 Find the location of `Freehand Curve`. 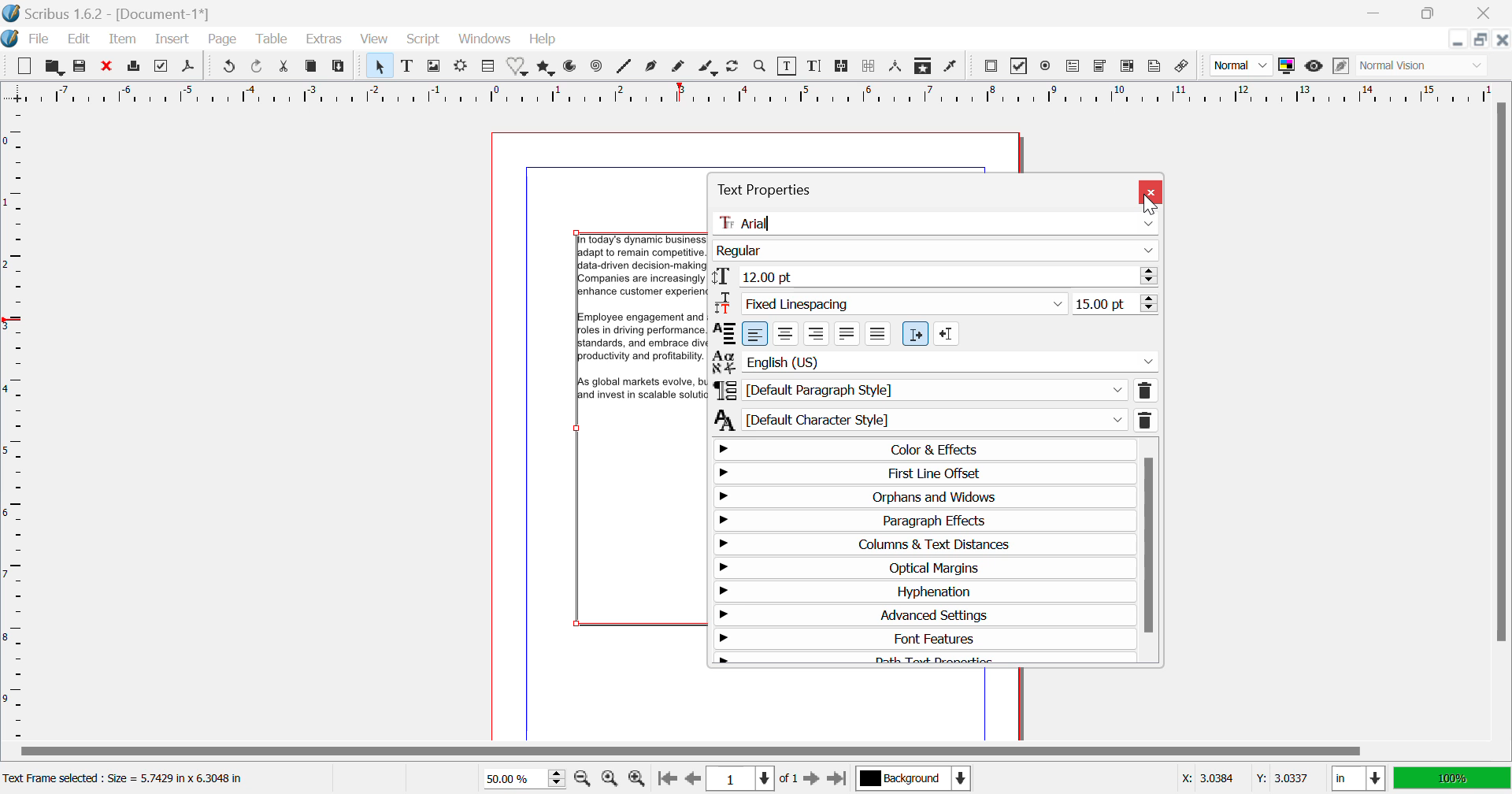

Freehand Curve is located at coordinates (676, 67).